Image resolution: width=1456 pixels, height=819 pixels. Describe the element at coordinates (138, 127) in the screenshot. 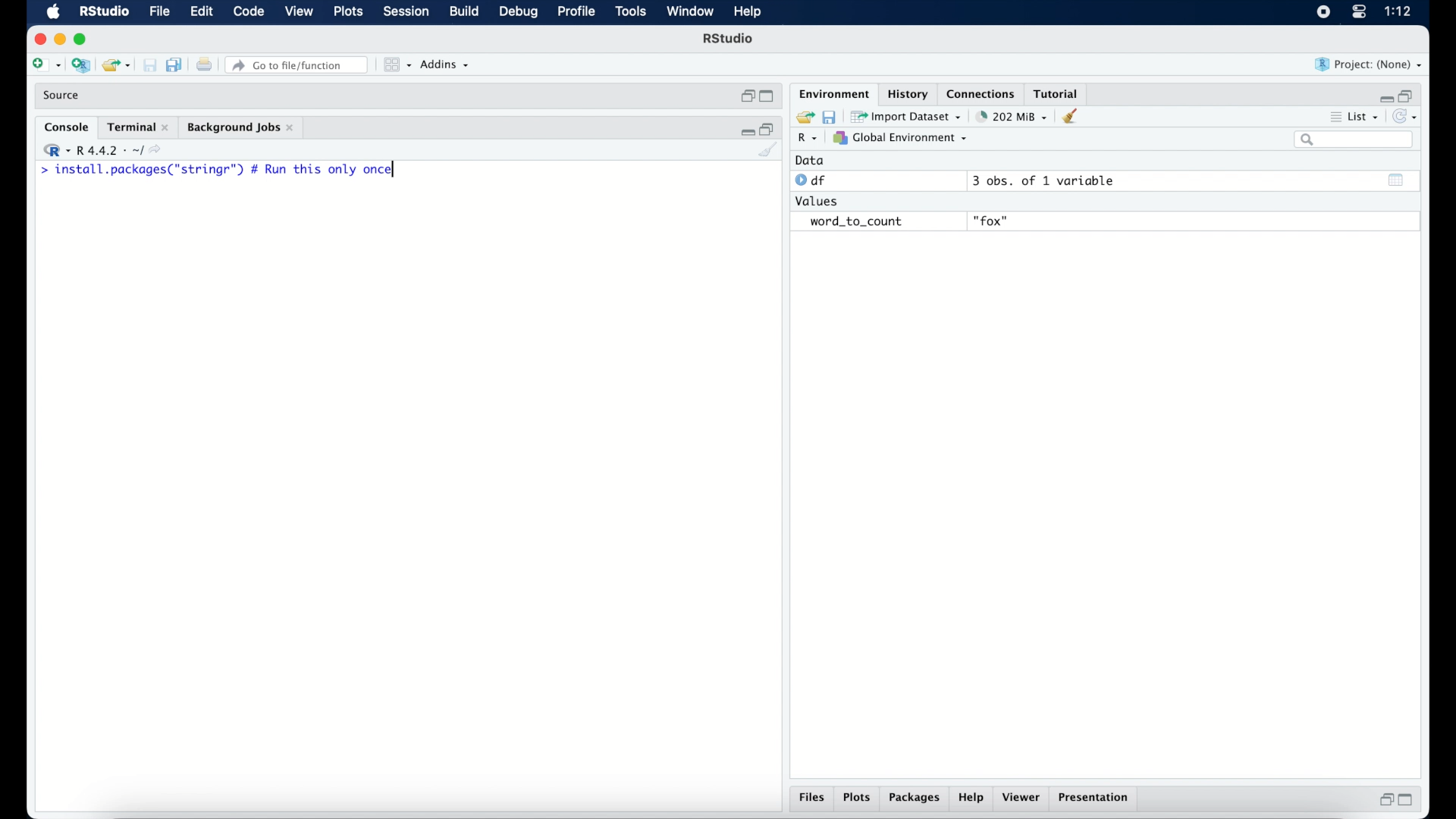

I see `terminal` at that location.